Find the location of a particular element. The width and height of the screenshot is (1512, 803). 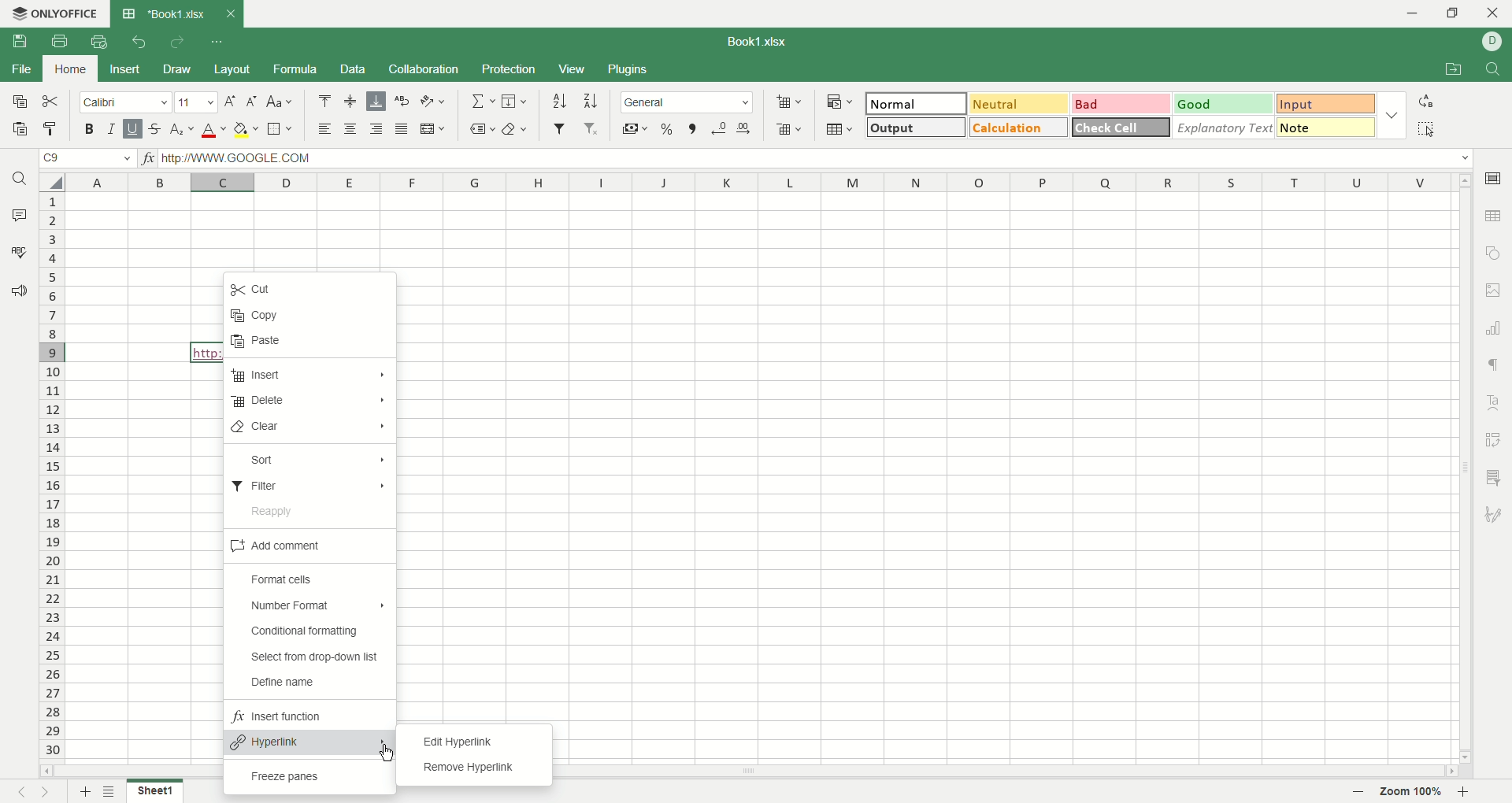

minimize is located at coordinates (1417, 15).